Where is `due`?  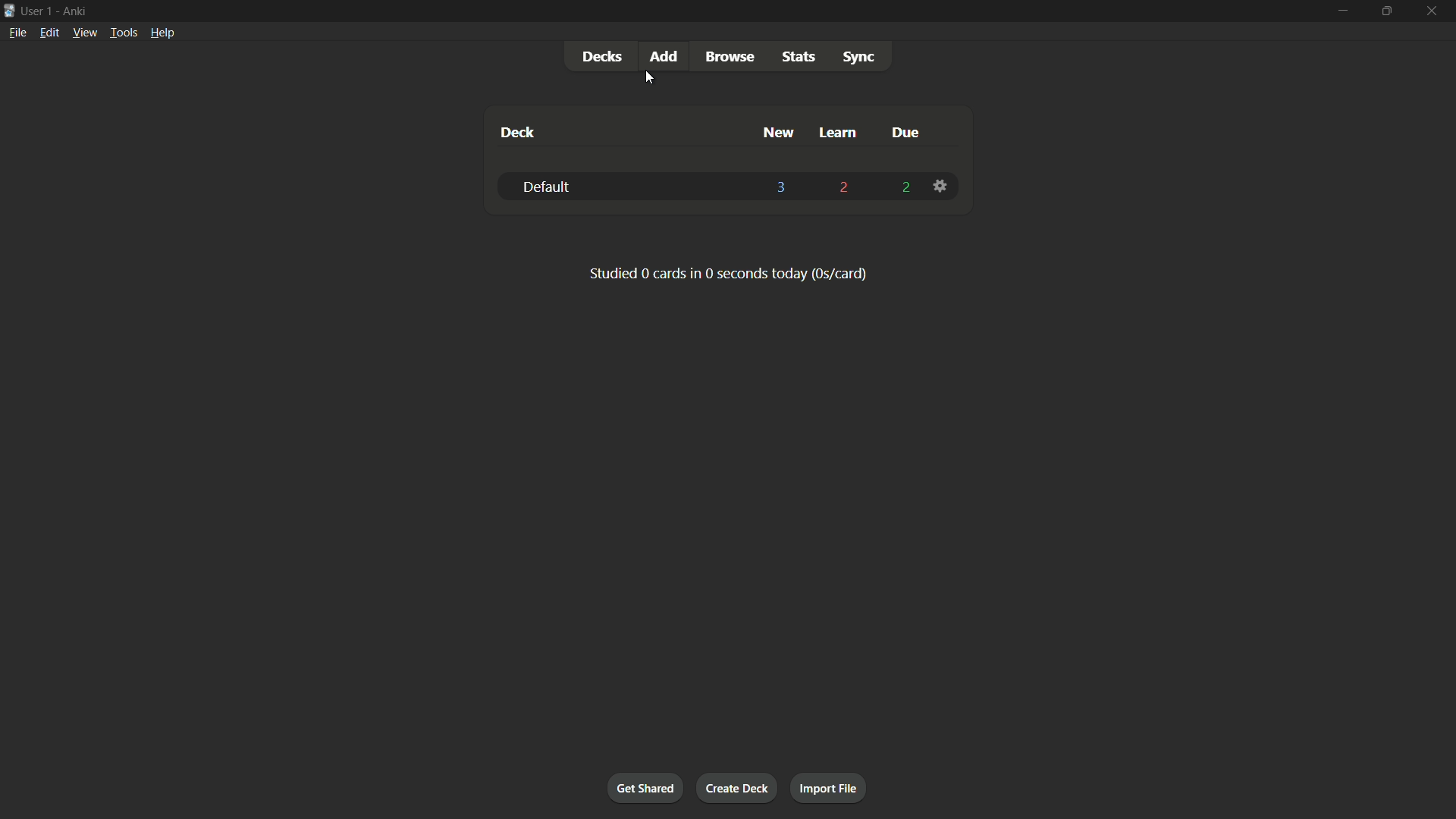 due is located at coordinates (906, 134).